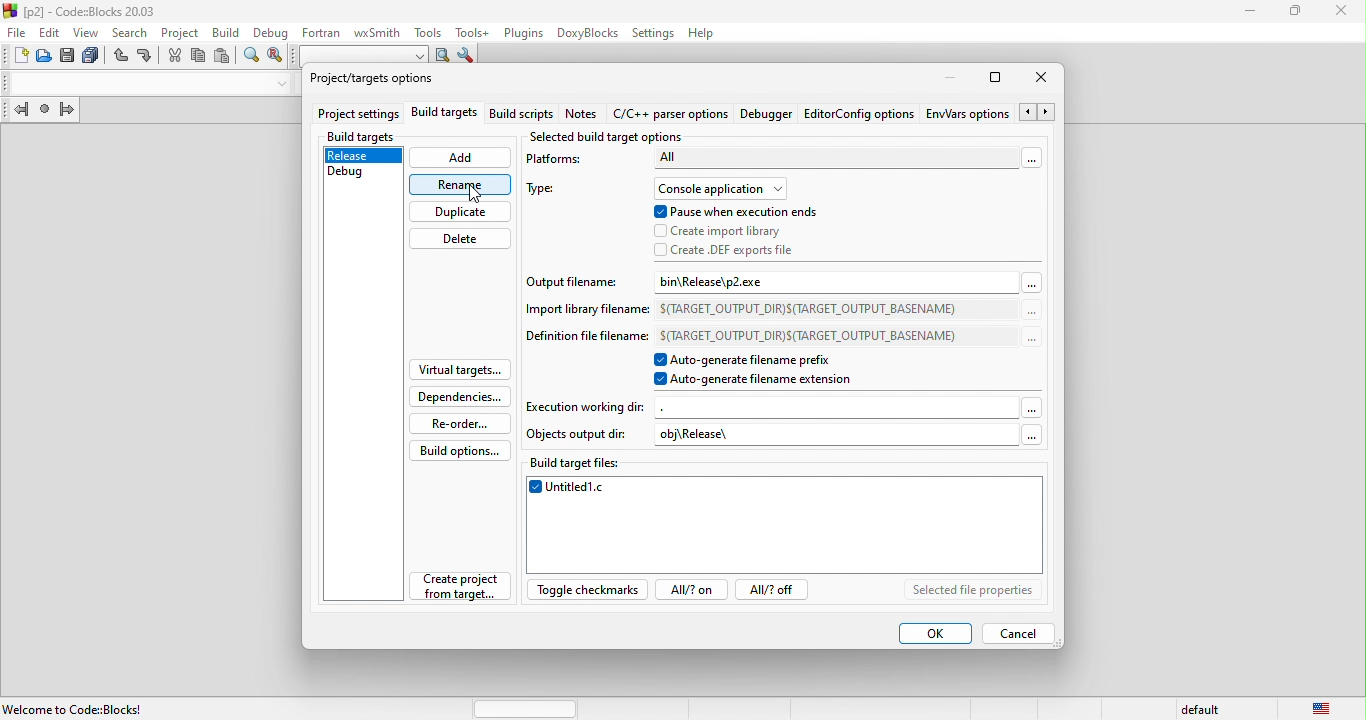 This screenshot has width=1366, height=720. Describe the element at coordinates (998, 78) in the screenshot. I see `maximize` at that location.